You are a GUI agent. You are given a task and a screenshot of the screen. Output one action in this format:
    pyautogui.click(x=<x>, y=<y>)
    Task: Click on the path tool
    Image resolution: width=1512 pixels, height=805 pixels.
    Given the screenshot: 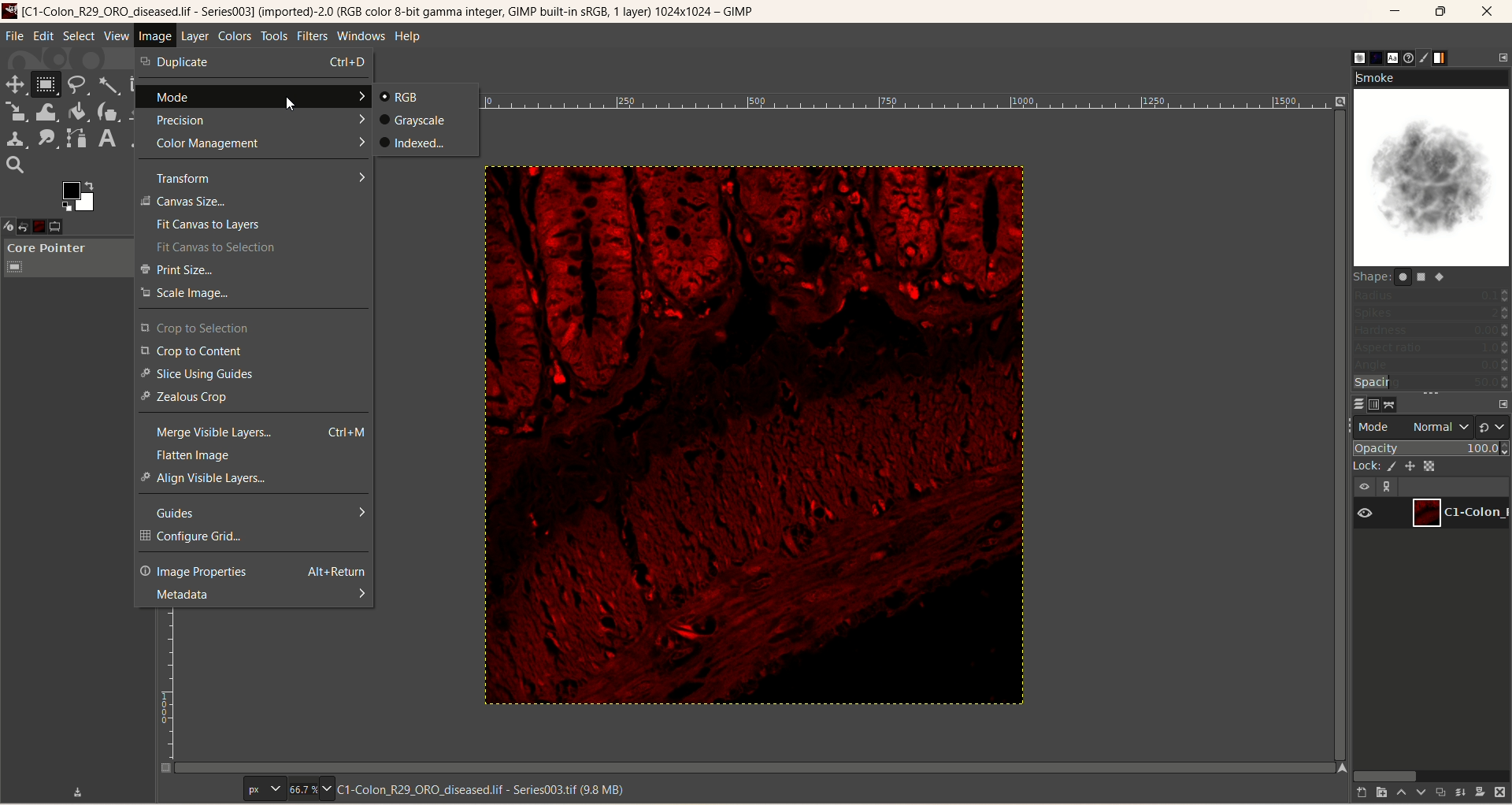 What is the action you would take?
    pyautogui.click(x=76, y=138)
    